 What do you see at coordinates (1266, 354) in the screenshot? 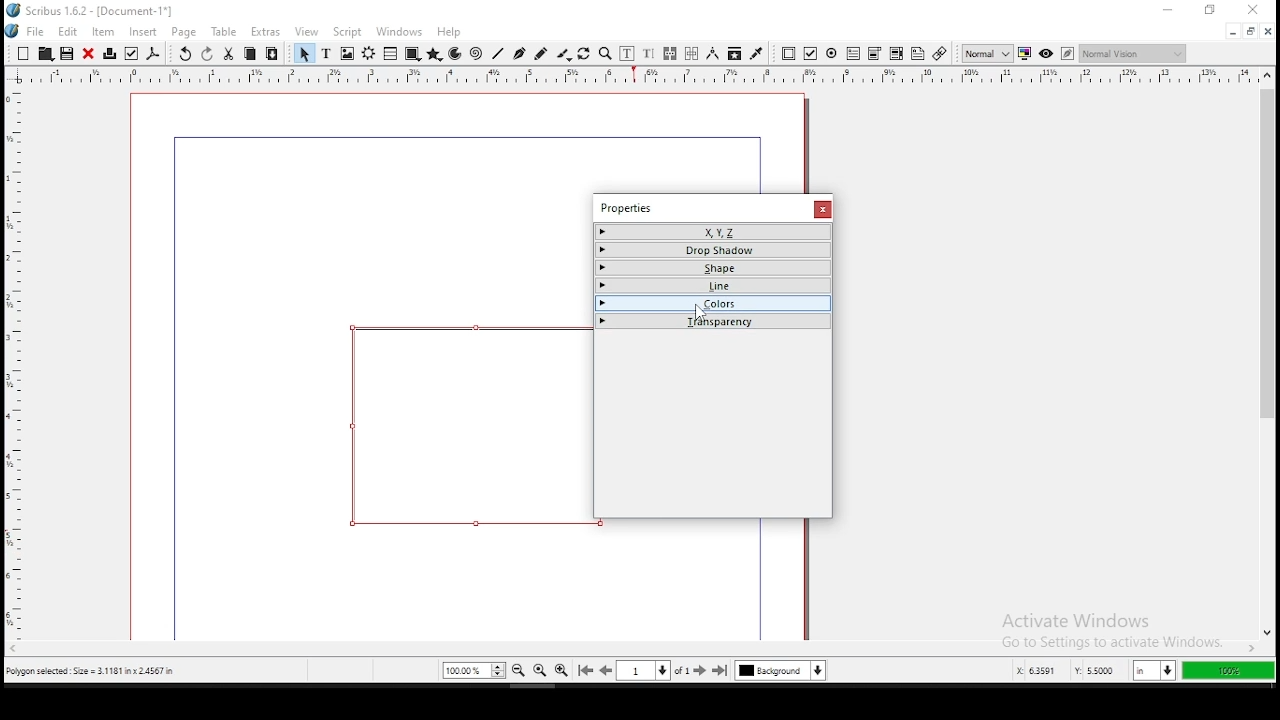
I see `scroll bar` at bounding box center [1266, 354].